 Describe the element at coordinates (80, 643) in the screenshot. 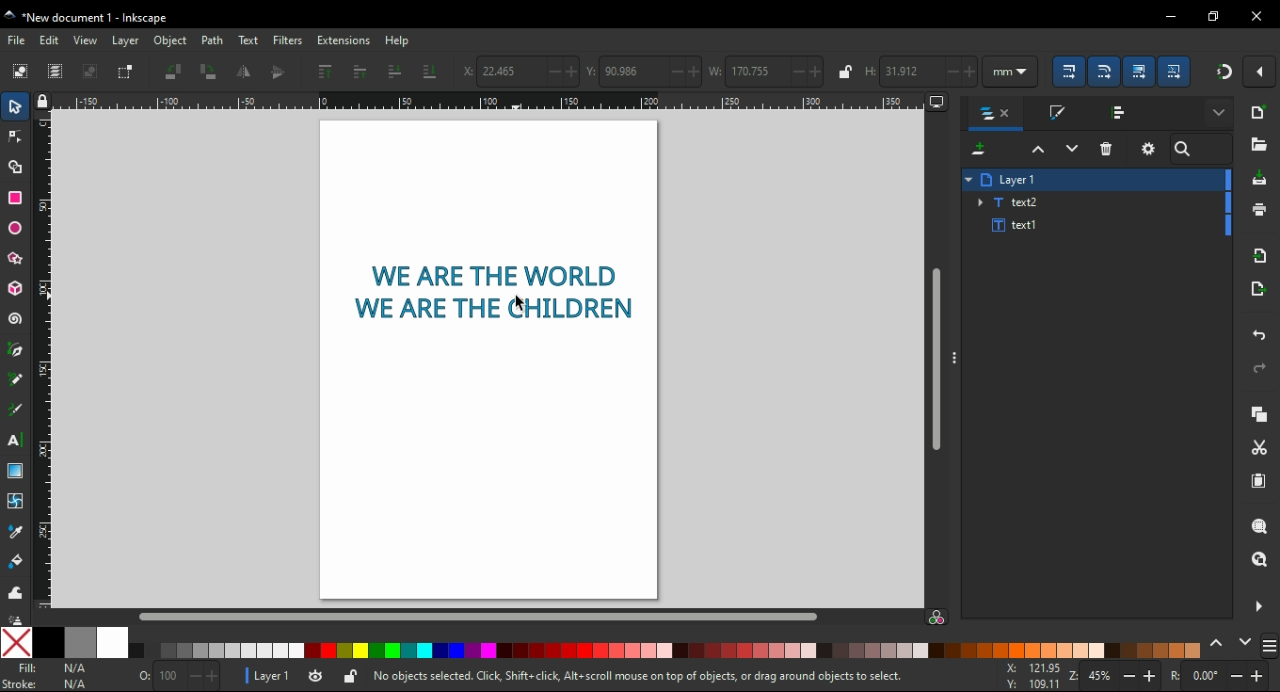

I see `50% grey` at that location.